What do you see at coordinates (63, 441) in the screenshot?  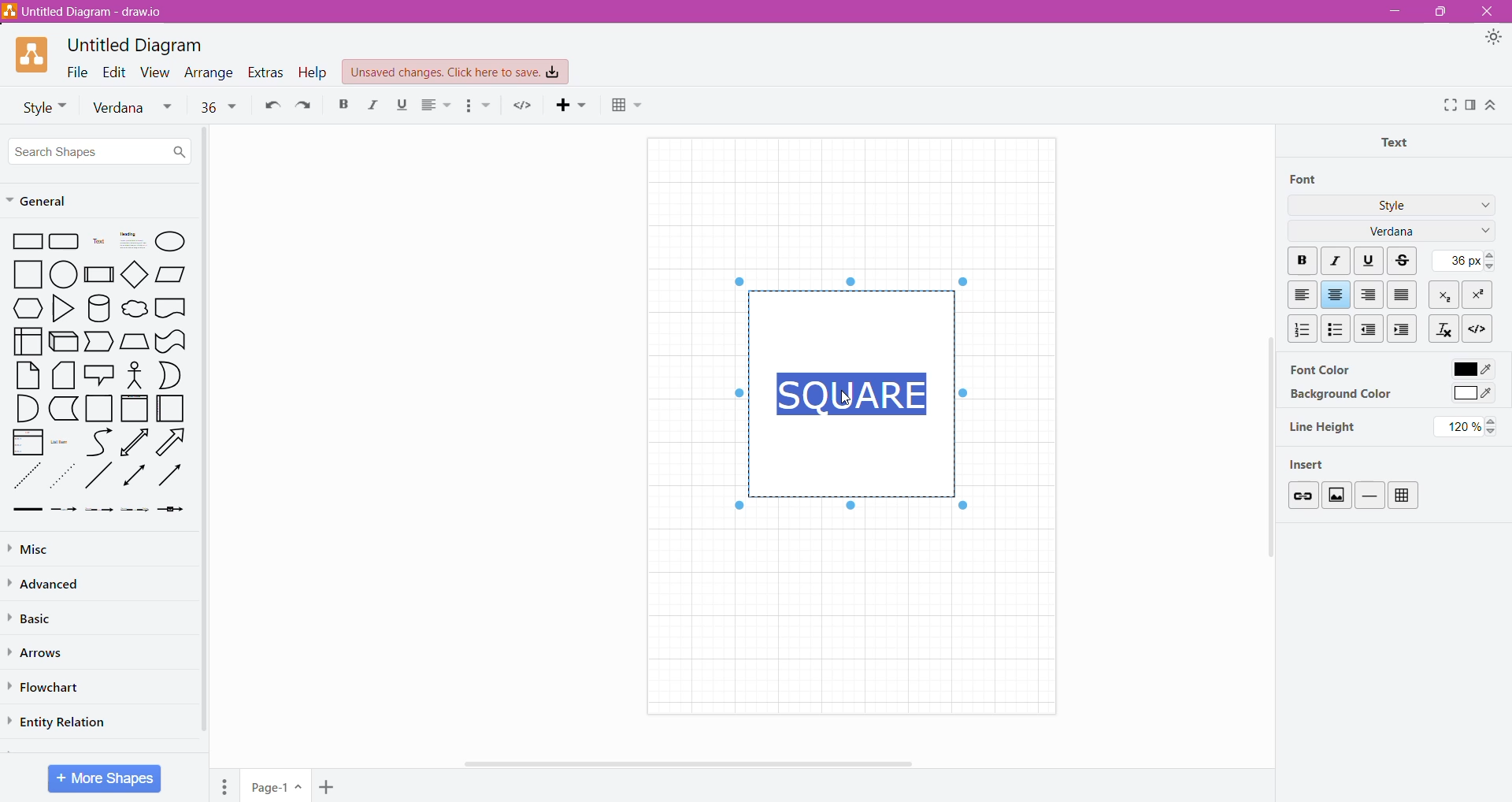 I see `List Item` at bounding box center [63, 441].